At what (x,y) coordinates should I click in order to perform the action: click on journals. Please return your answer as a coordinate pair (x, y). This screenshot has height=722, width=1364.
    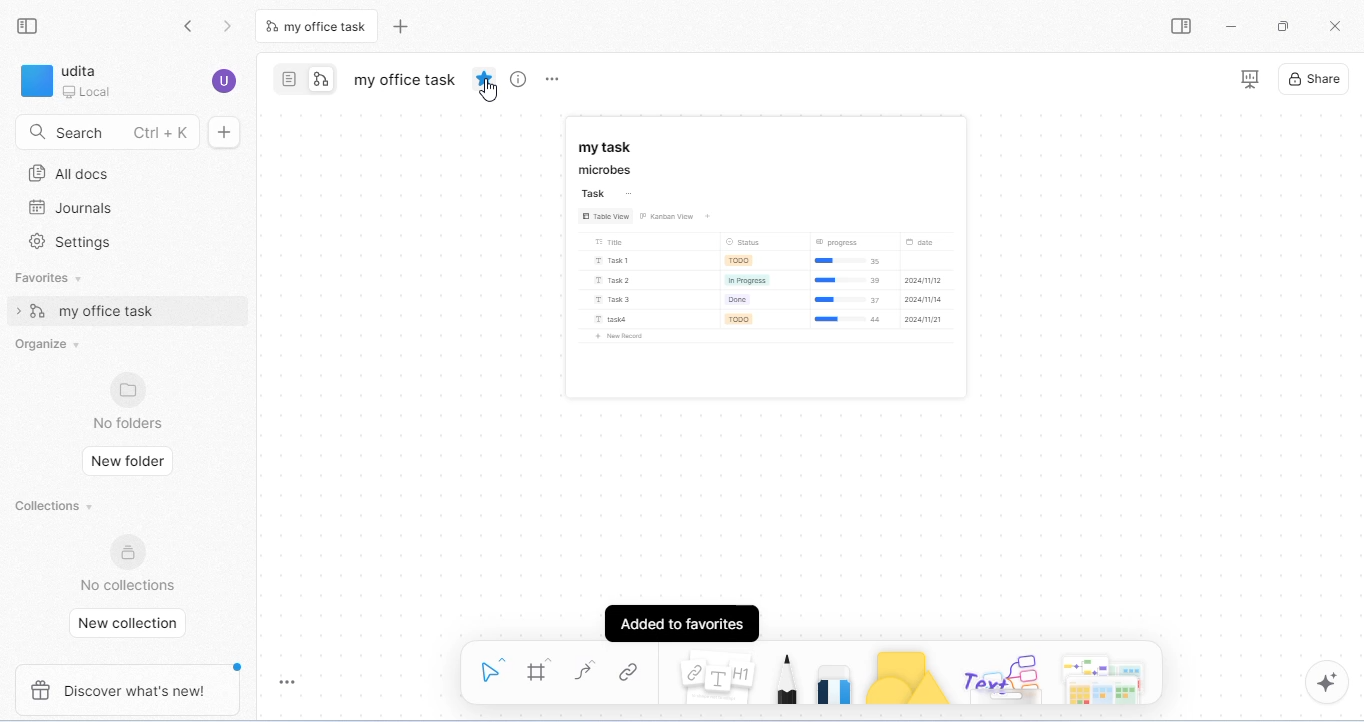
    Looking at the image, I should click on (73, 208).